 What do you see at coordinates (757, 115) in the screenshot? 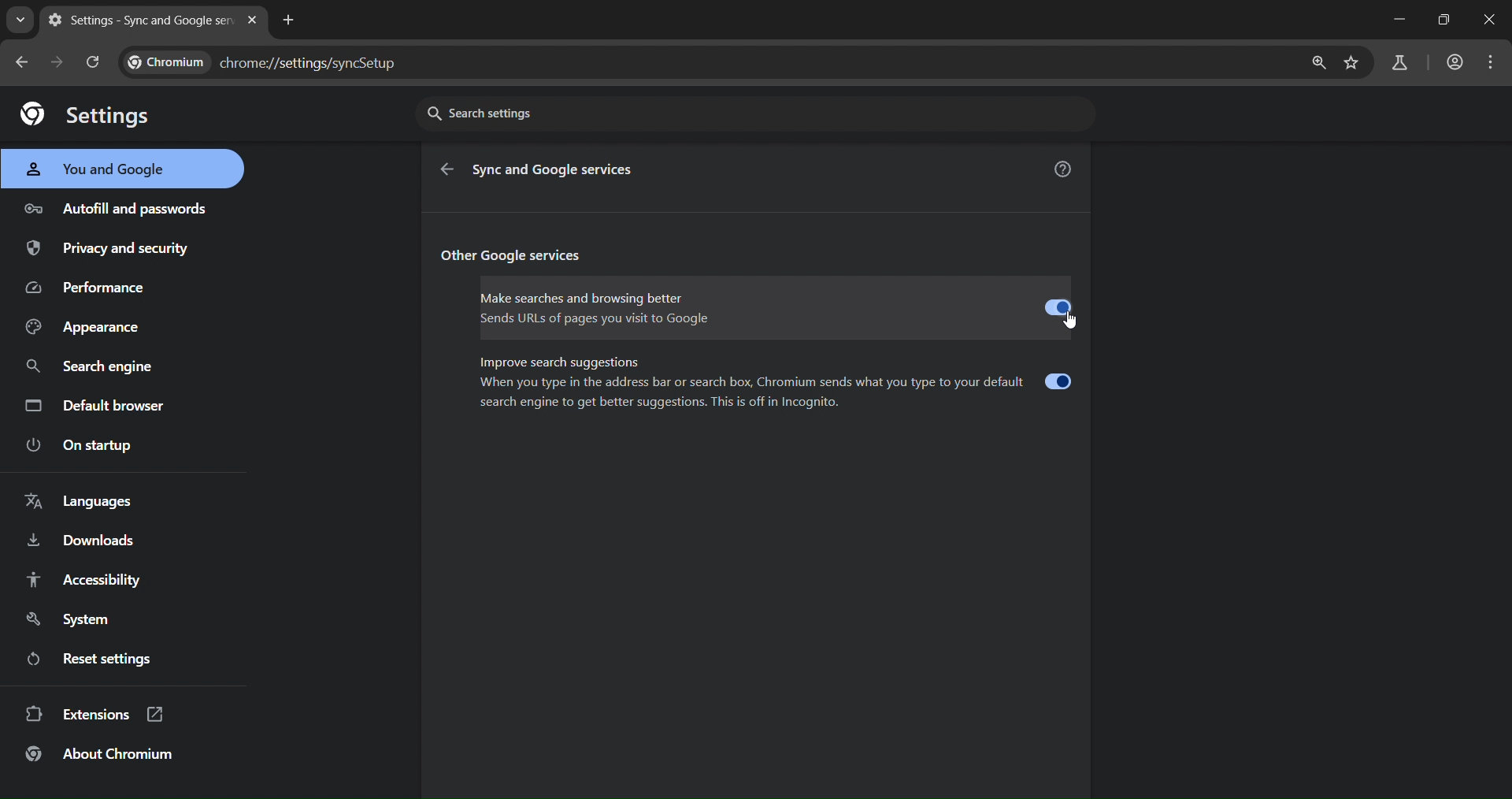
I see `search settings` at bounding box center [757, 115].